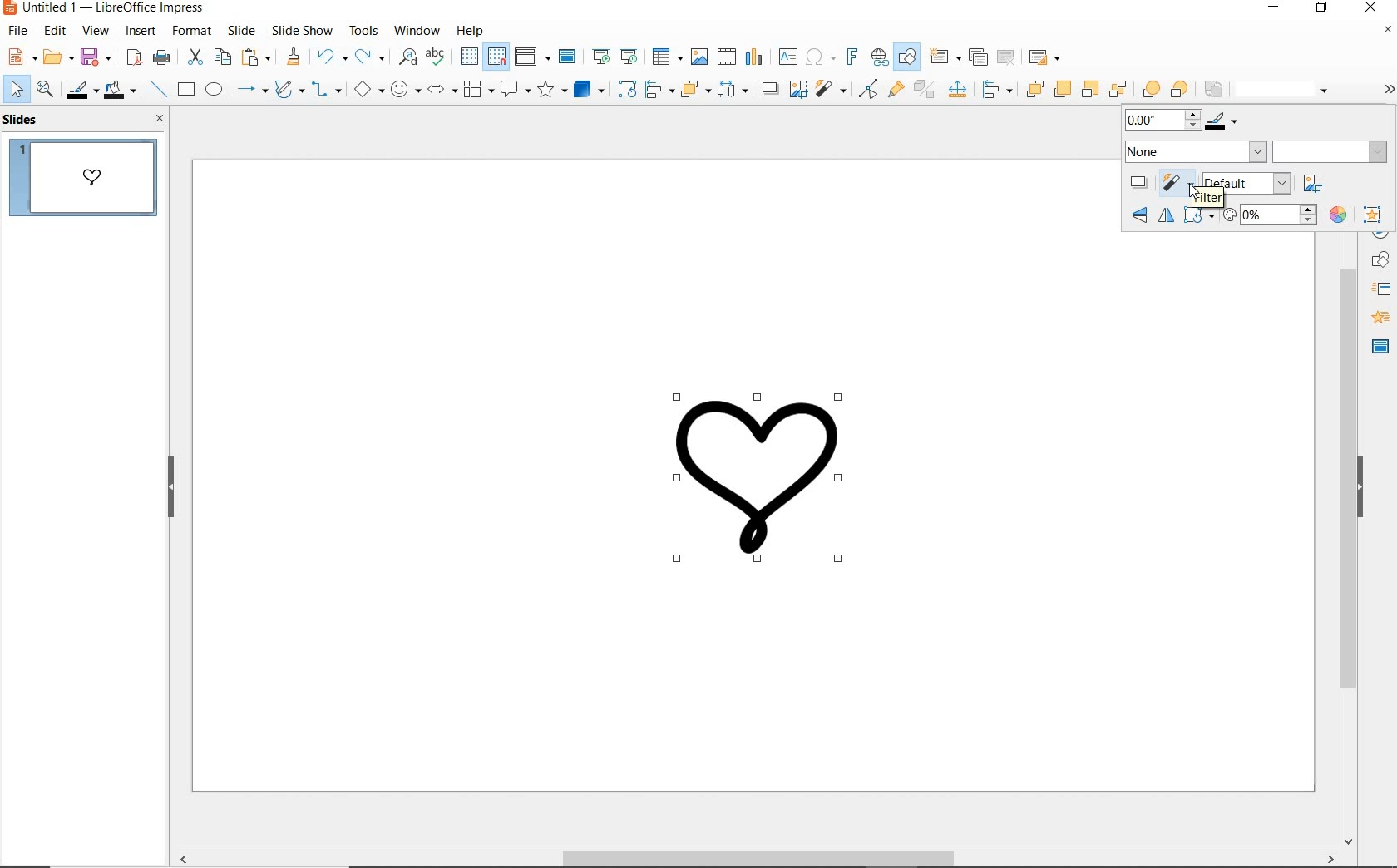  What do you see at coordinates (134, 57) in the screenshot?
I see `export as pdf` at bounding box center [134, 57].